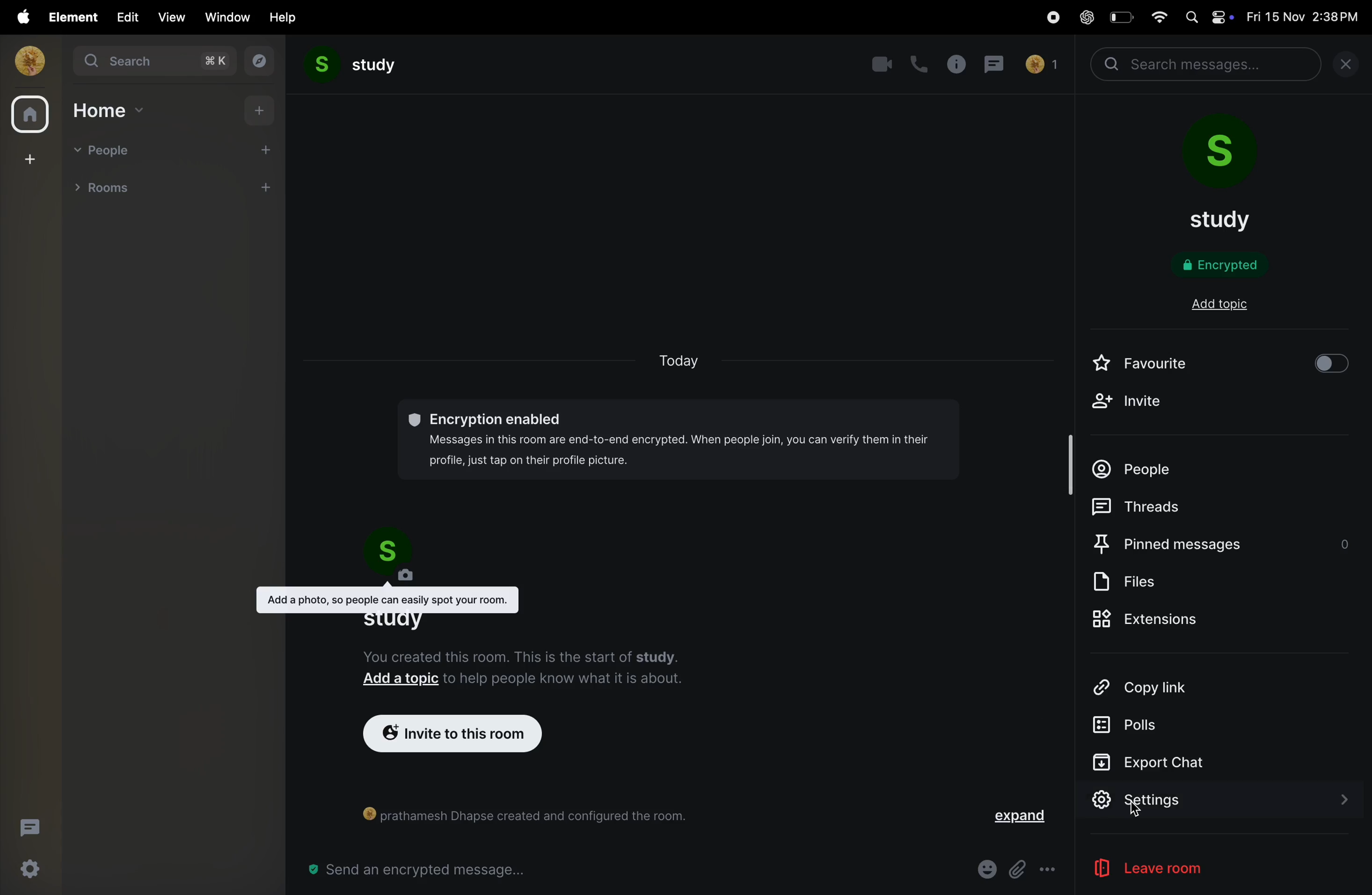 This screenshot has width=1372, height=895. I want to click on room profile pic, so click(399, 557).